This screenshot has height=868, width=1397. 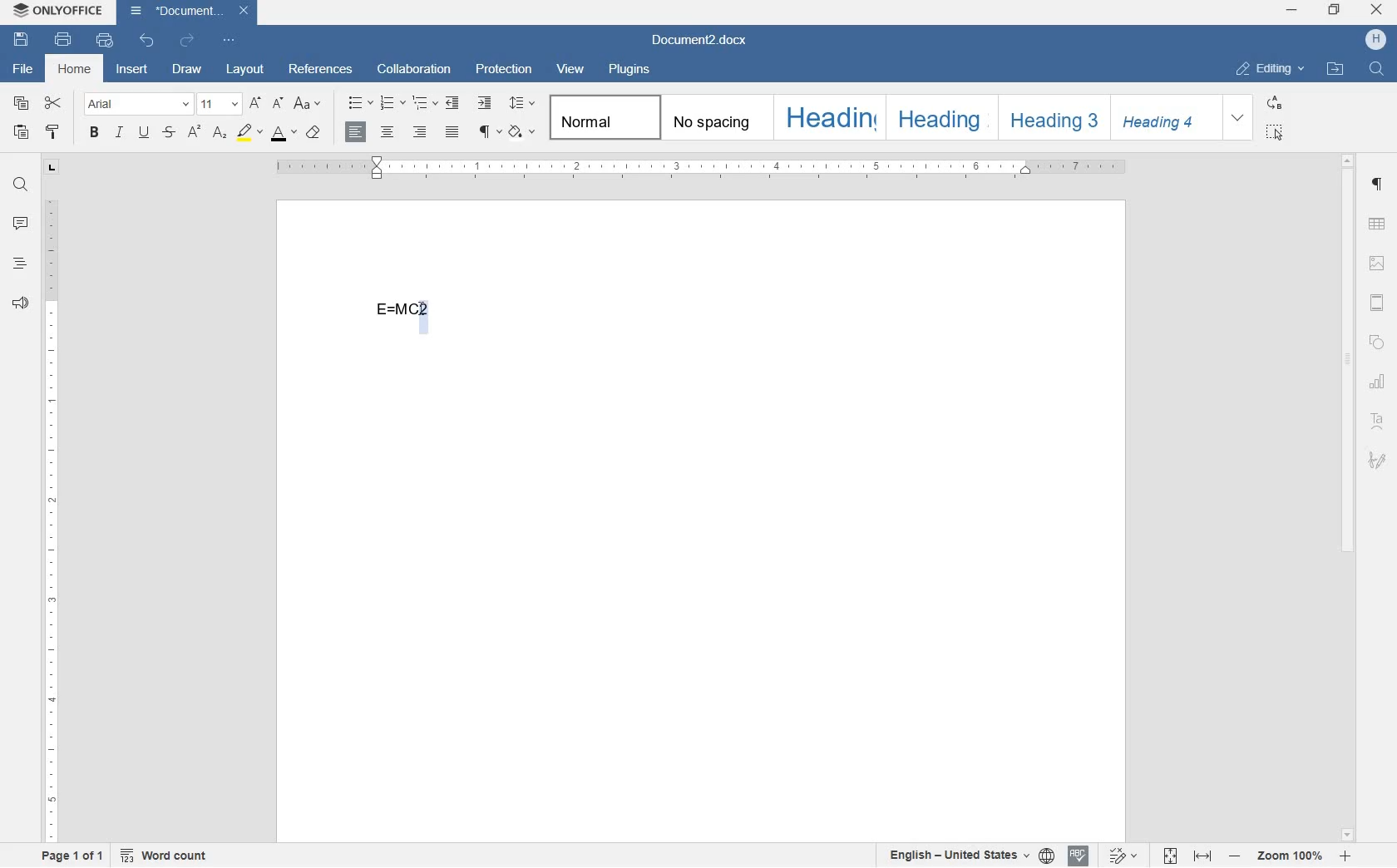 What do you see at coordinates (131, 71) in the screenshot?
I see `insert ` at bounding box center [131, 71].